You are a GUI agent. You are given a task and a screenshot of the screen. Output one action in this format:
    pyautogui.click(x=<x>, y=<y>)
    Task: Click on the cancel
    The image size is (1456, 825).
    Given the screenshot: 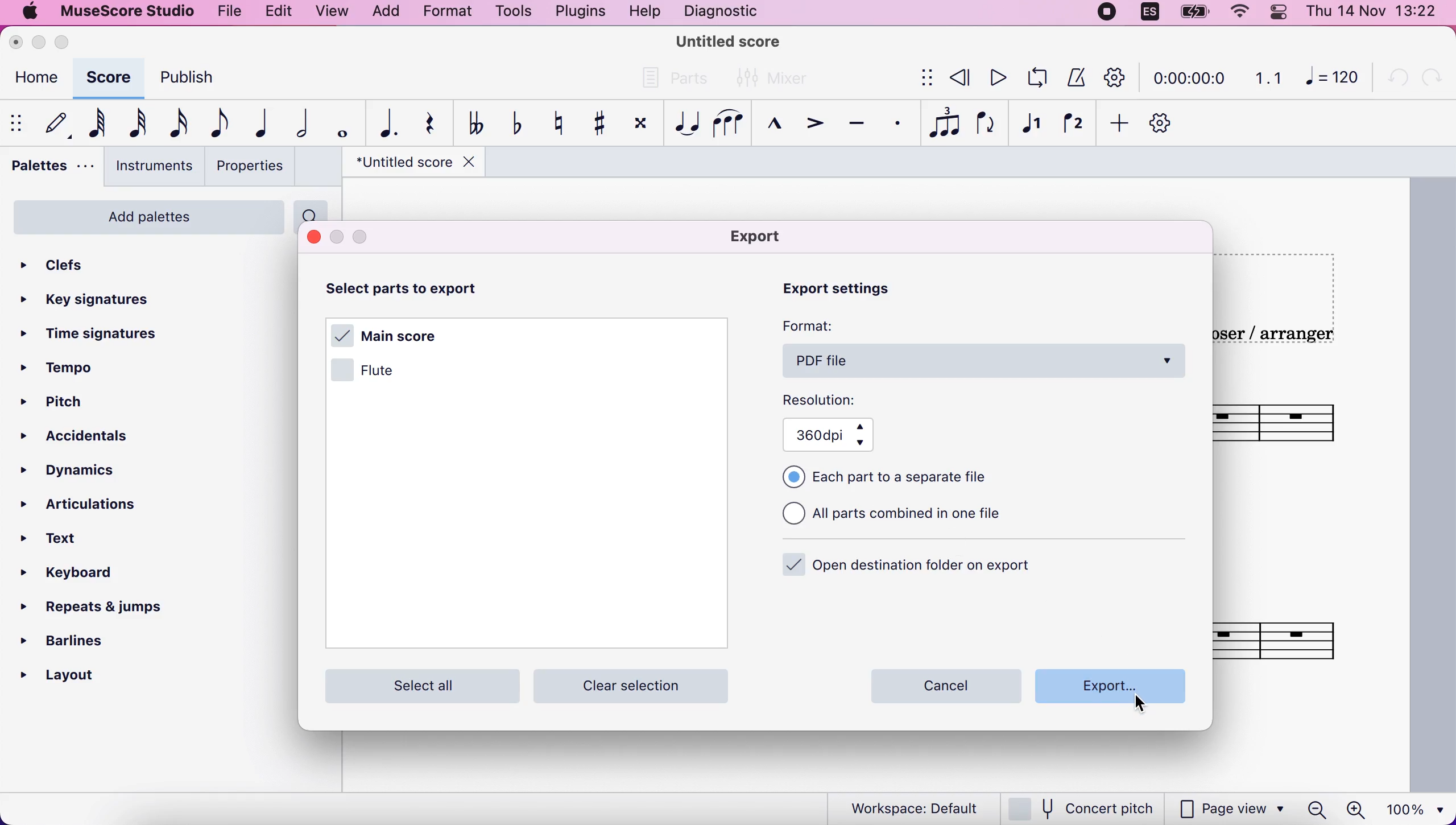 What is the action you would take?
    pyautogui.click(x=948, y=686)
    